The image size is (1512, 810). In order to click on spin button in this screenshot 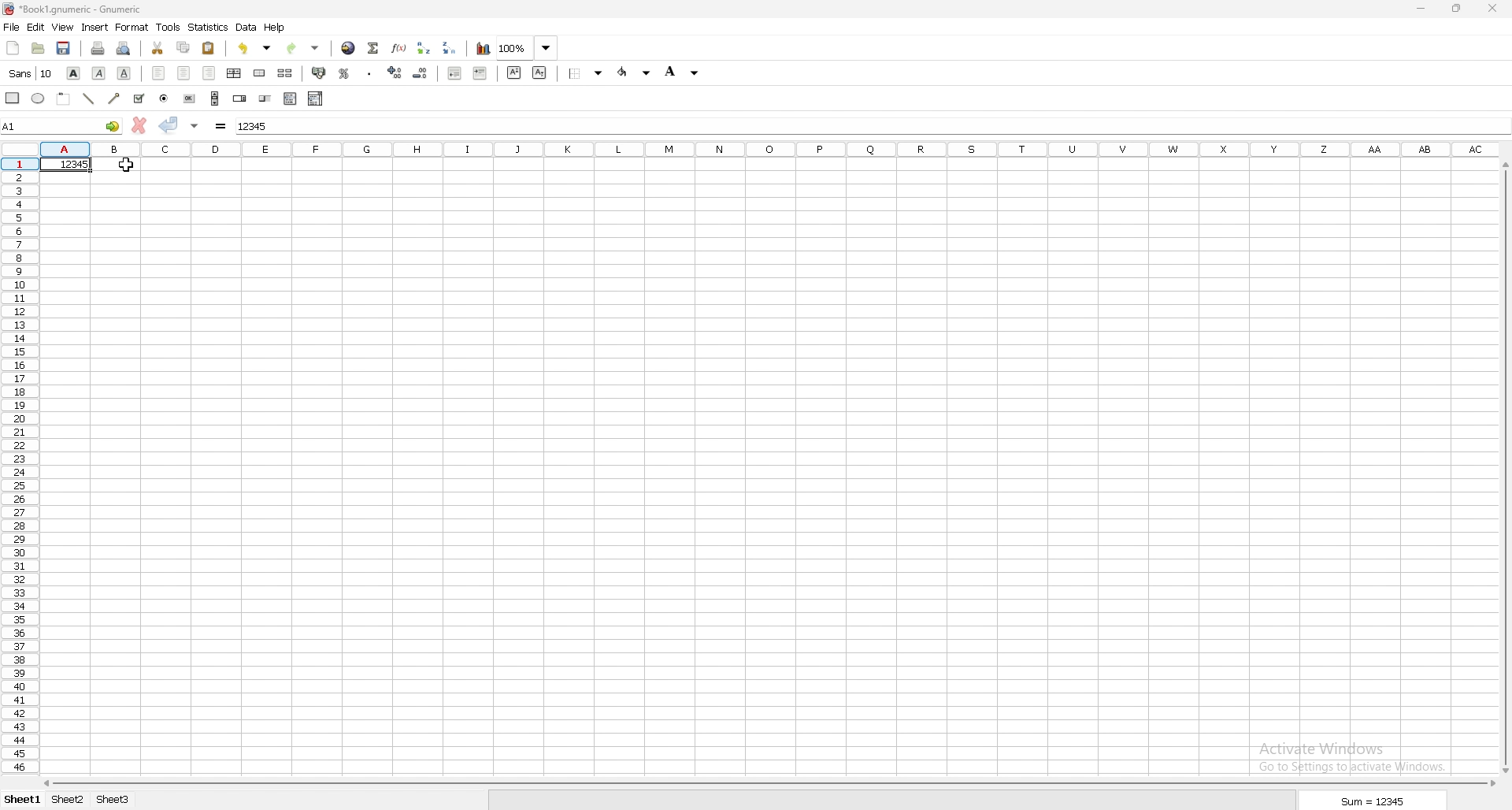, I will do `click(239, 98)`.